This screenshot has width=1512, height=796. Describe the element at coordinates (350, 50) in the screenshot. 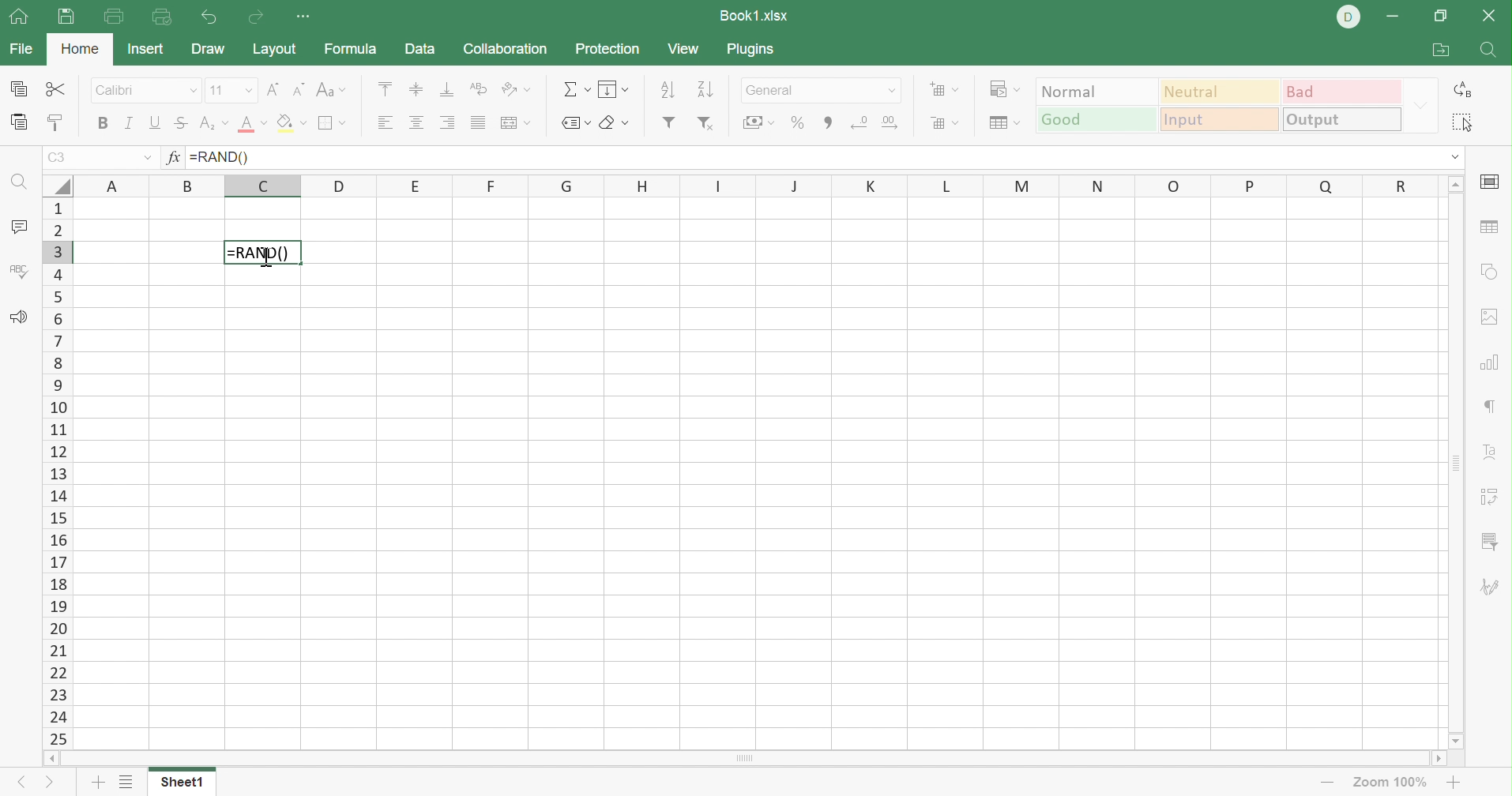

I see `Formula` at that location.